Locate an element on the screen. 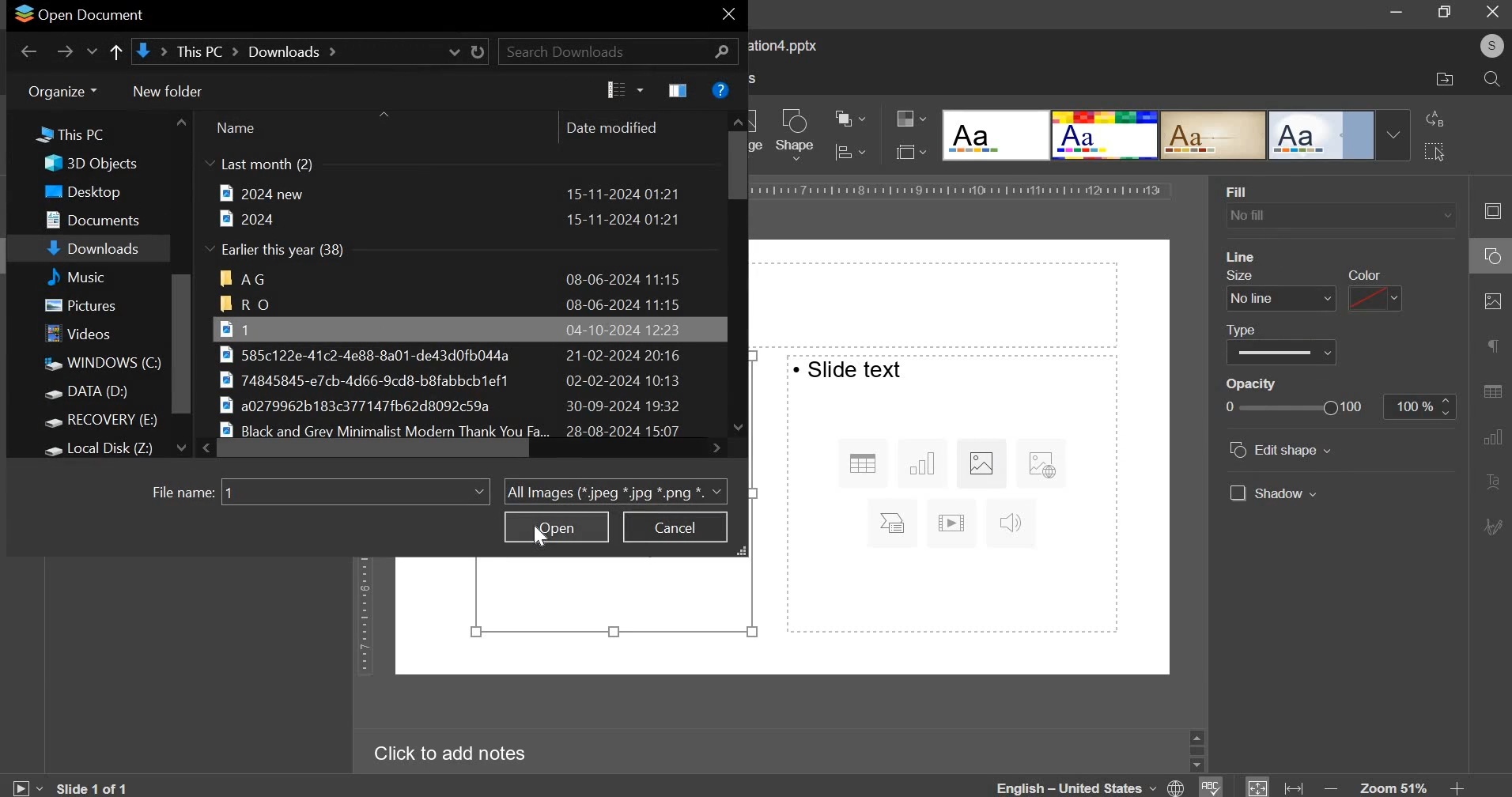 The image size is (1512, 797). close is located at coordinates (1492, 11).